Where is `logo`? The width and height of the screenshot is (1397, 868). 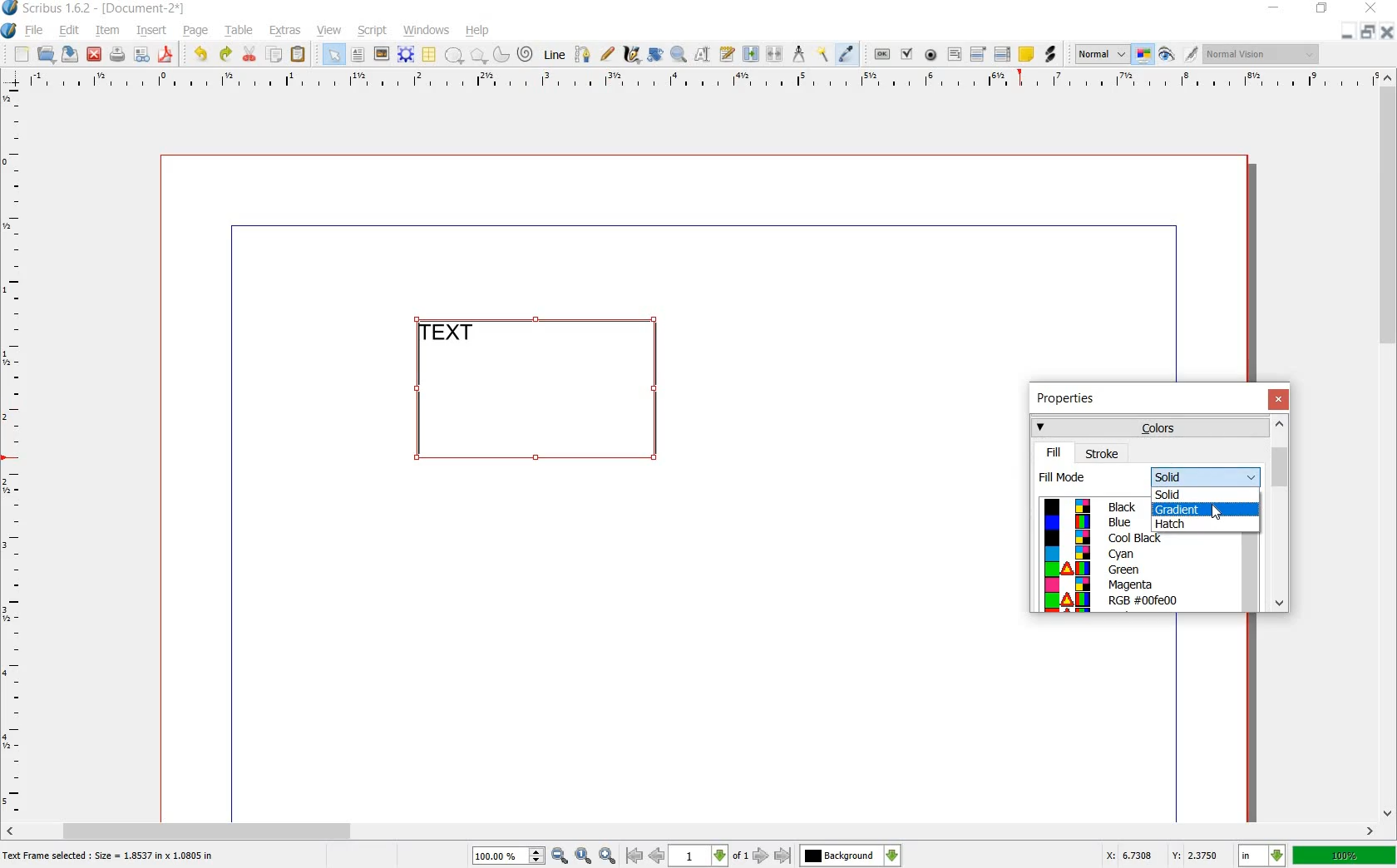
logo is located at coordinates (11, 9).